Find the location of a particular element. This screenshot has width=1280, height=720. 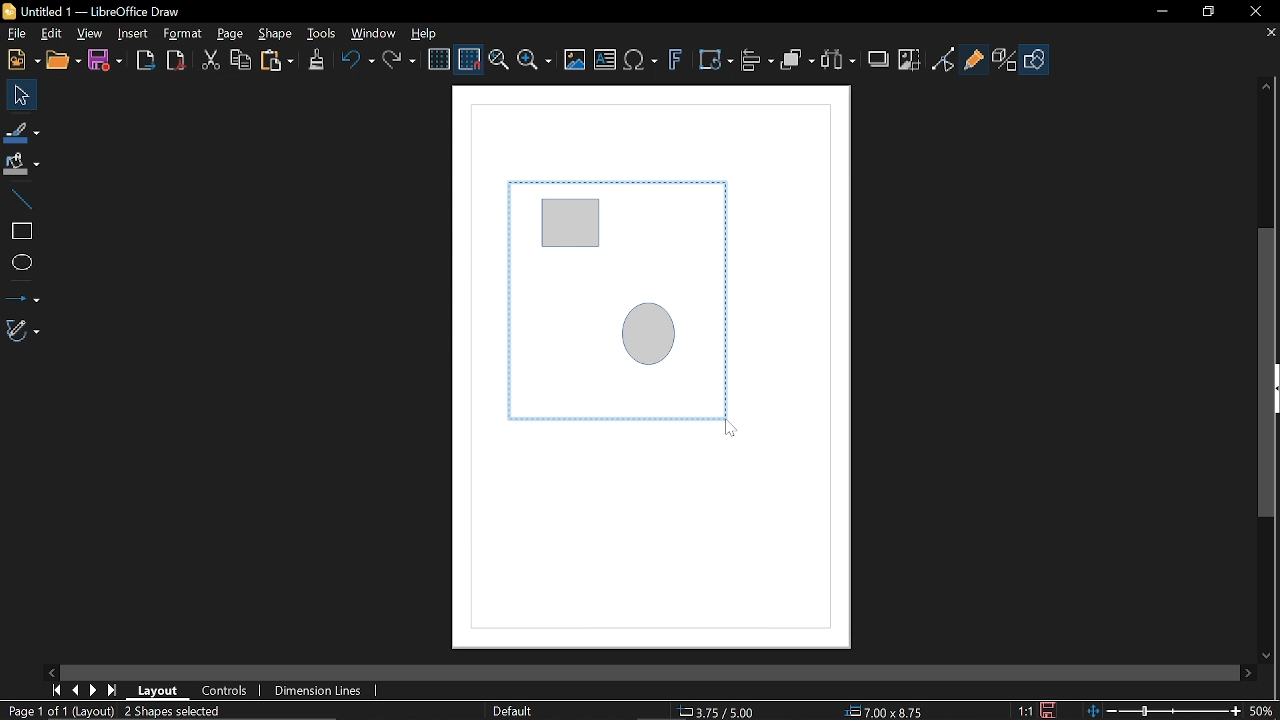

Location is located at coordinates (719, 712).